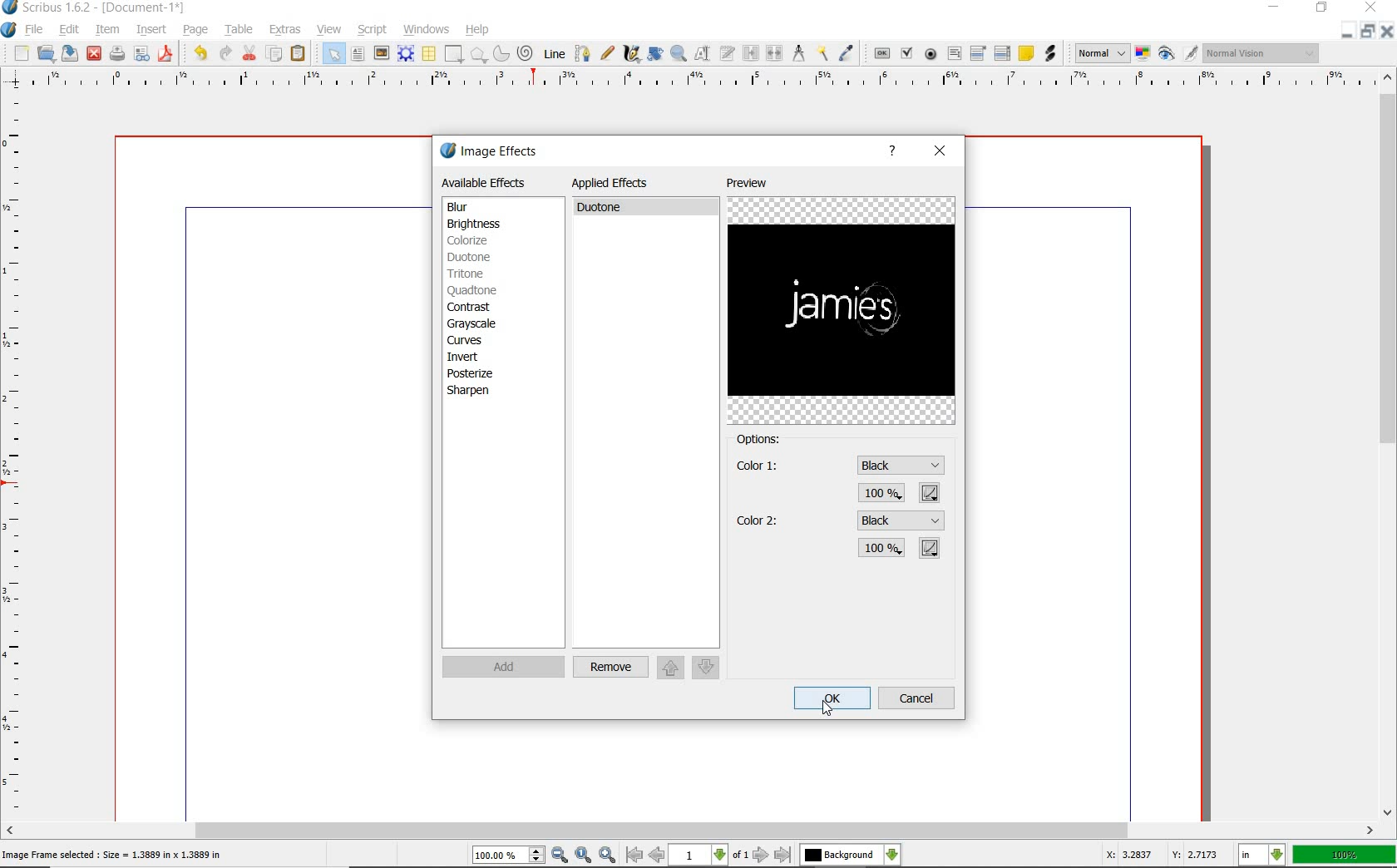  I want to click on extras, so click(285, 28).